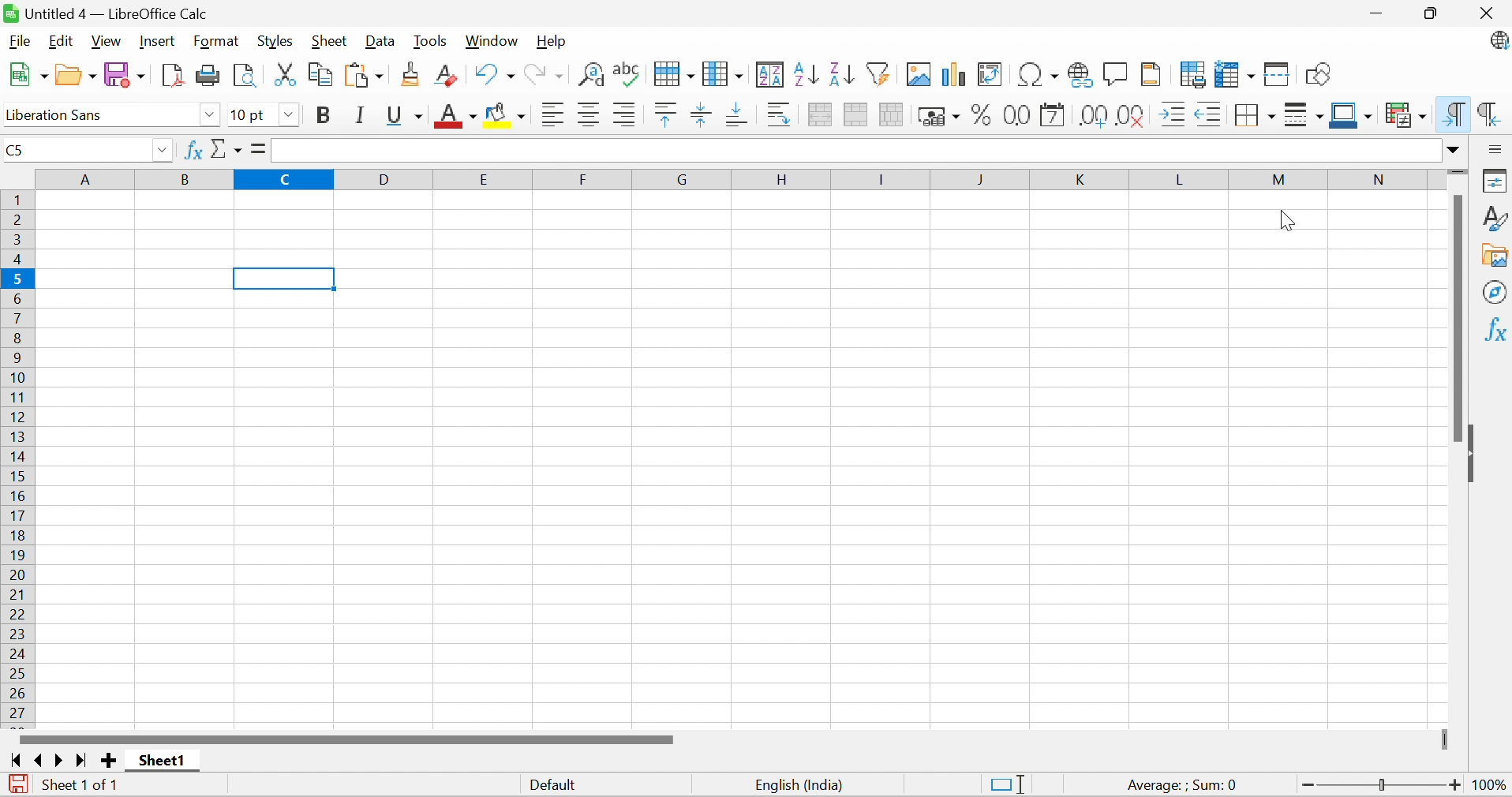 Image resolution: width=1512 pixels, height=797 pixels. Describe the element at coordinates (105, 12) in the screenshot. I see `Untitled 4 - LibreOffice Calc` at that location.